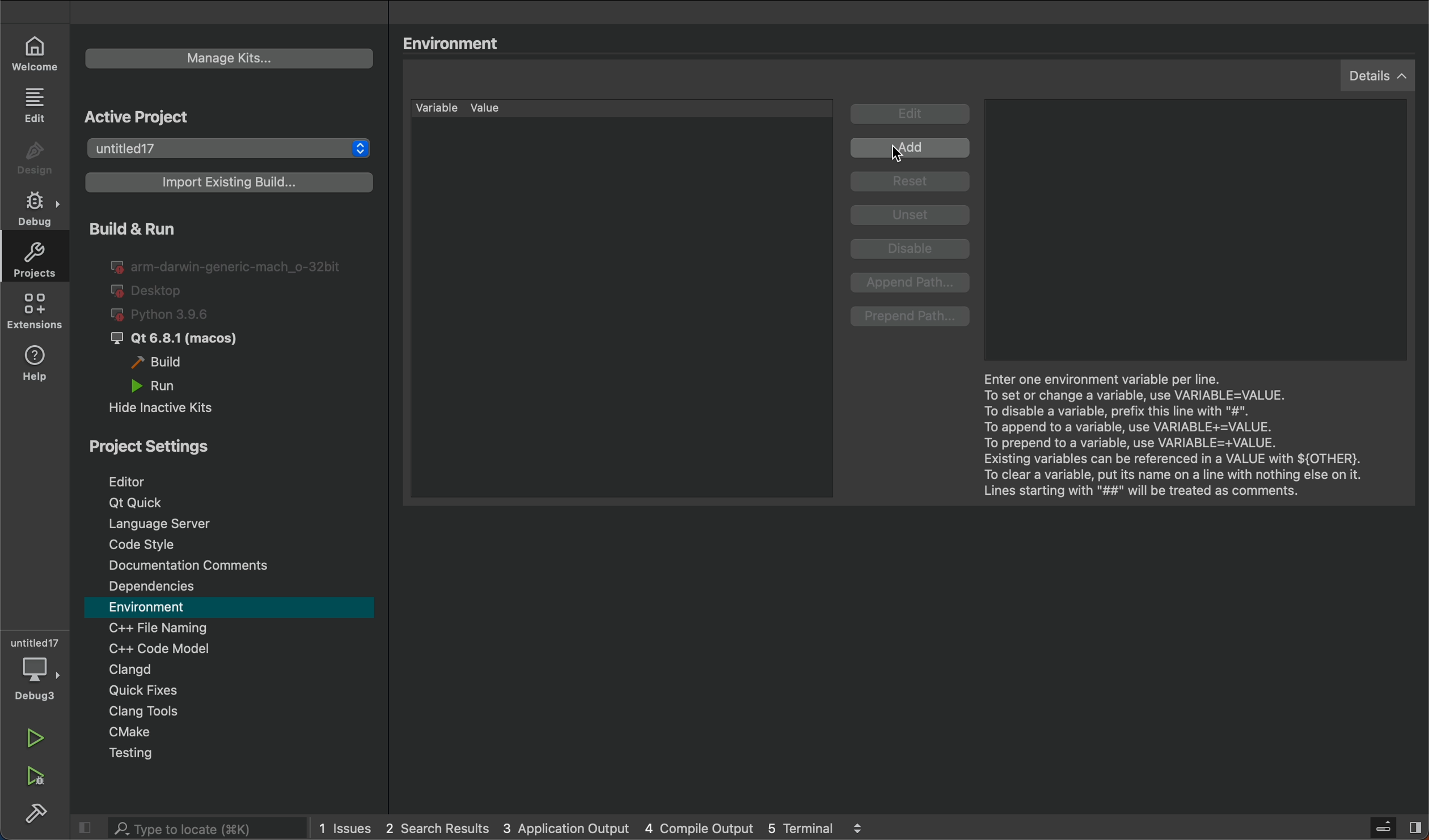 This screenshot has height=840, width=1429. What do you see at coordinates (438, 829) in the screenshot?
I see `2 search results` at bounding box center [438, 829].